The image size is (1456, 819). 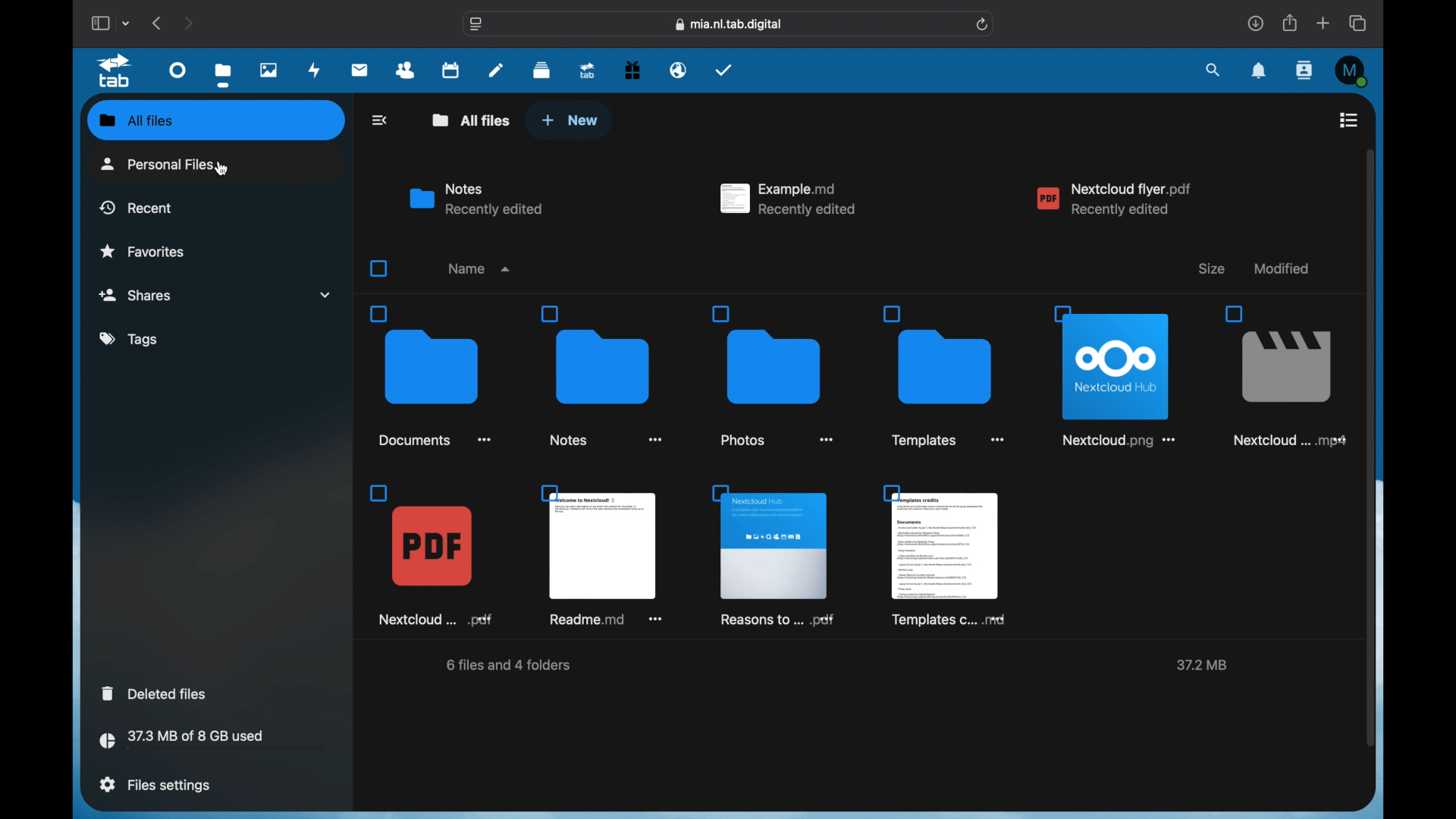 I want to click on folder, so click(x=601, y=375).